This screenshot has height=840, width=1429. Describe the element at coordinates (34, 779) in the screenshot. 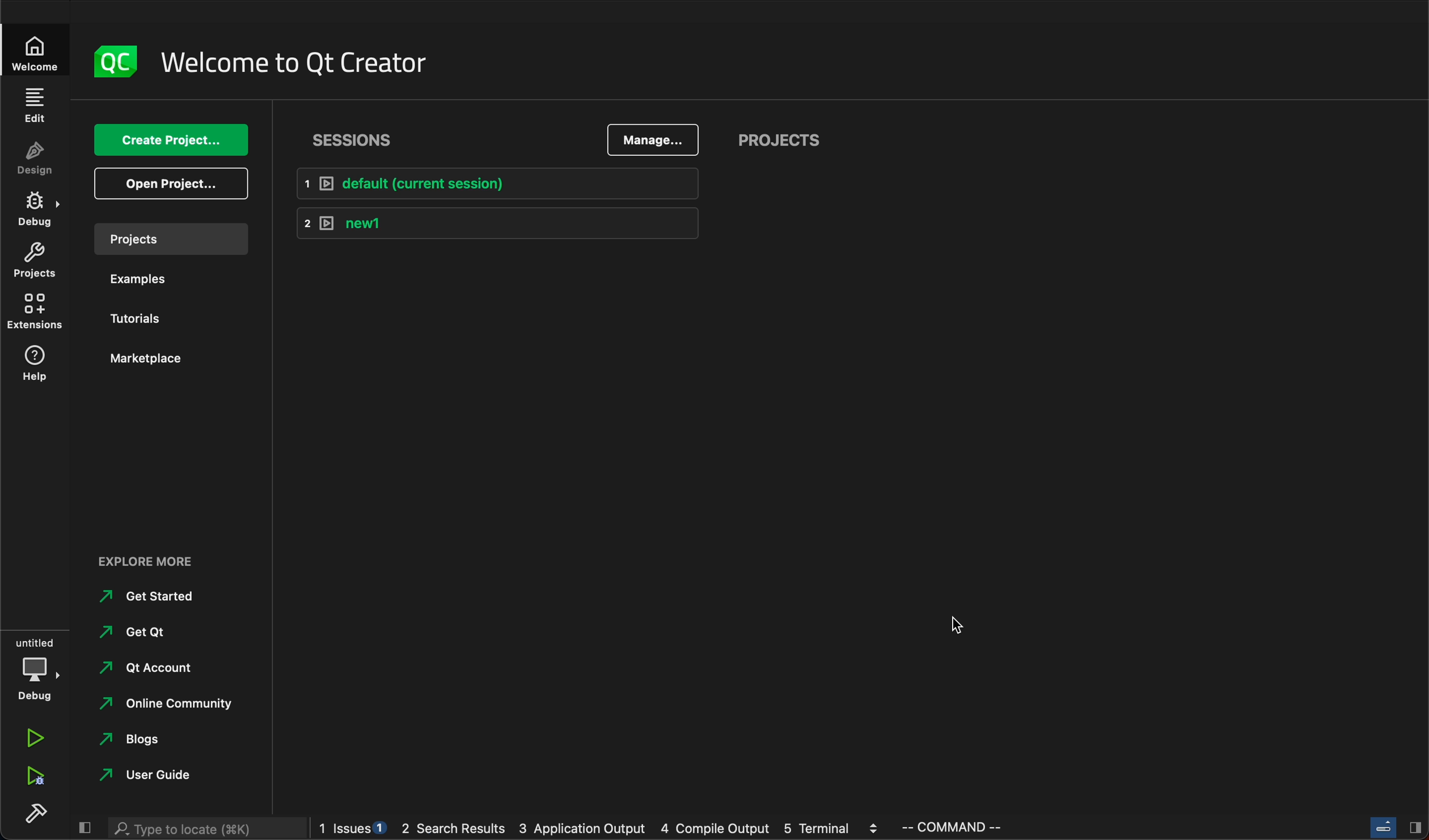

I see `run debug` at that location.